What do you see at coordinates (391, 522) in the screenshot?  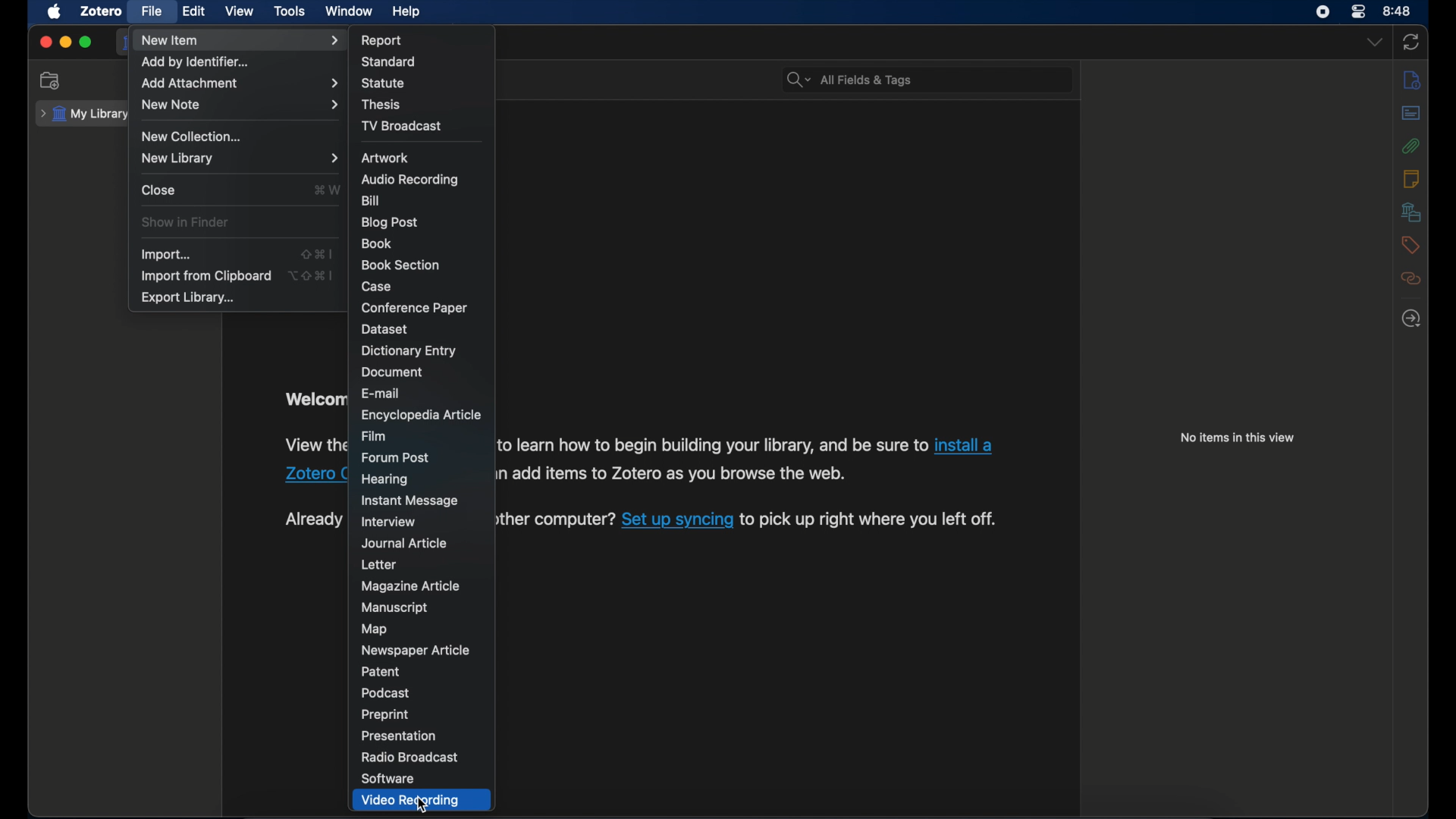 I see `interview` at bounding box center [391, 522].